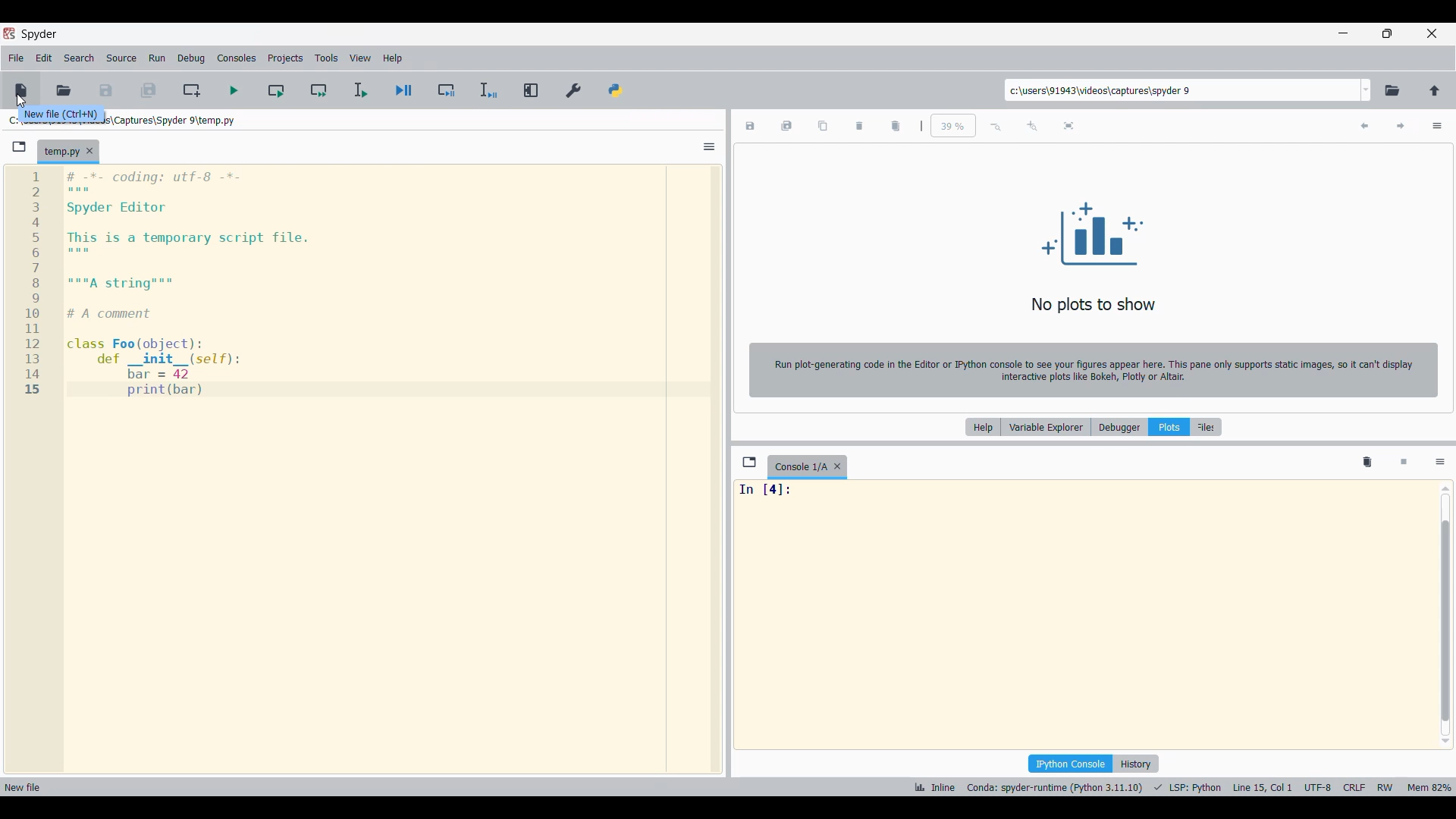 This screenshot has height=819, width=1456. I want to click on Projects menu, so click(286, 58).